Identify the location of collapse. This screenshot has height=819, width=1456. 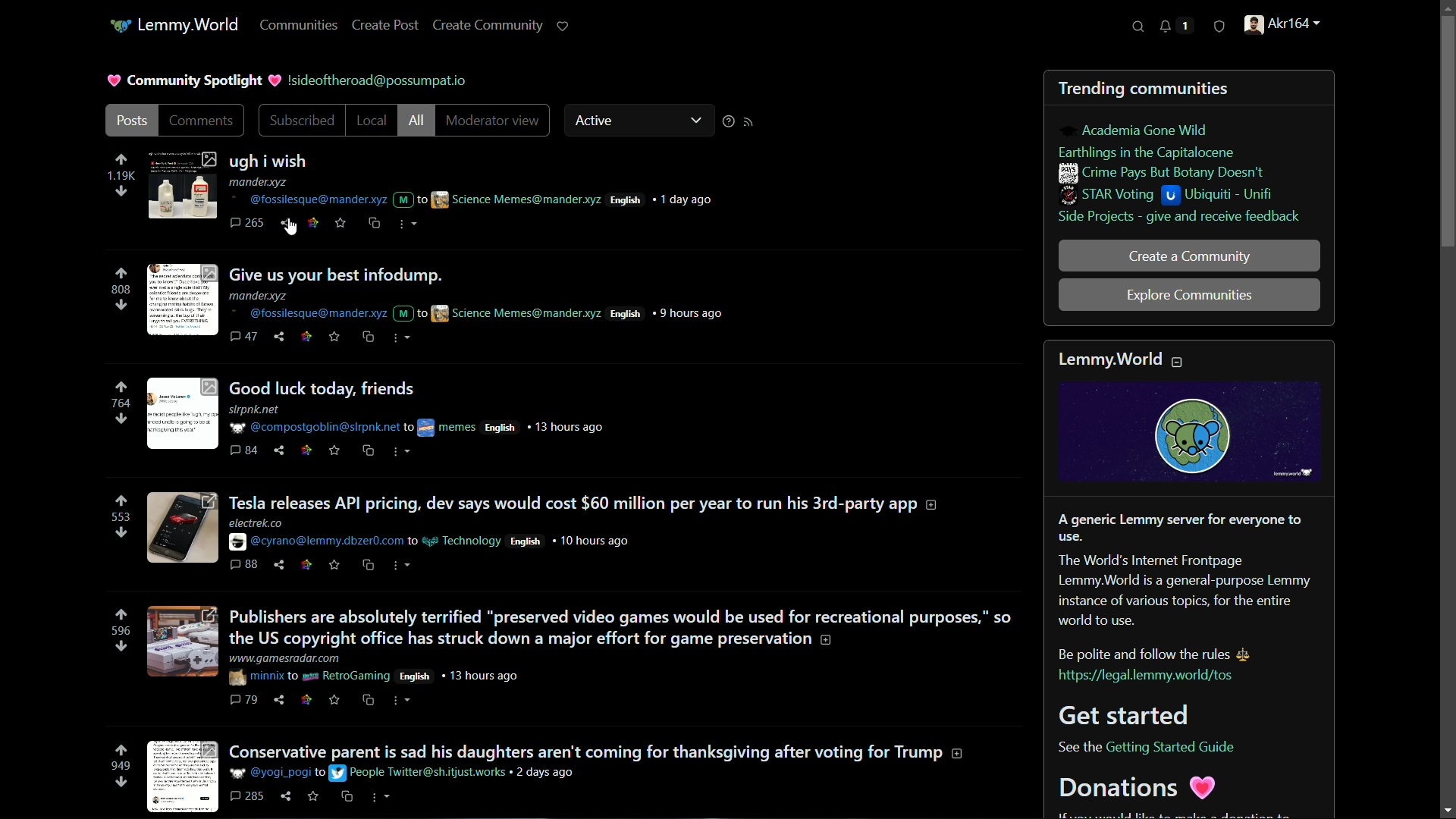
(1178, 361).